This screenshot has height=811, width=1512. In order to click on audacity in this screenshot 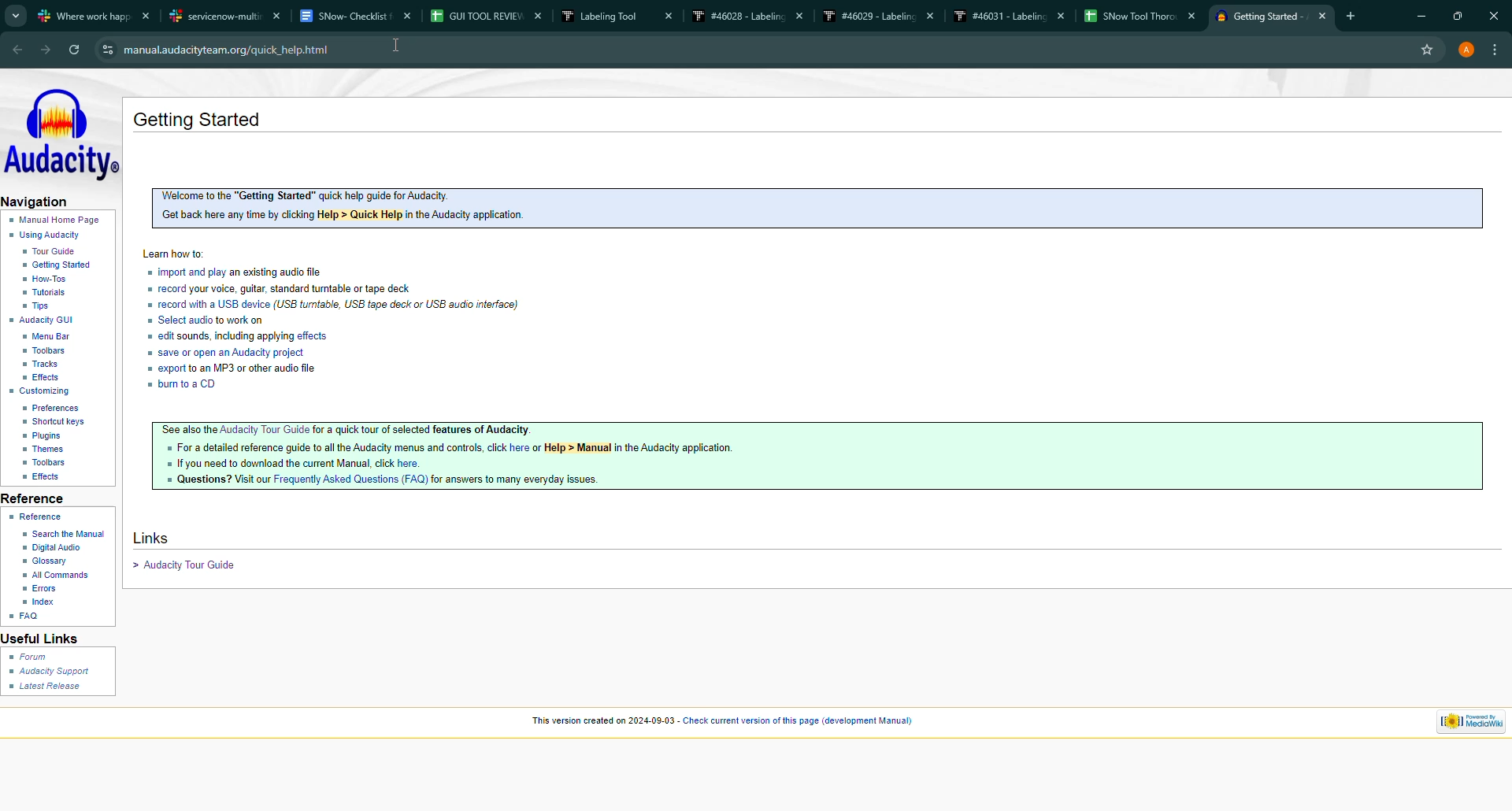, I will do `click(65, 136)`.